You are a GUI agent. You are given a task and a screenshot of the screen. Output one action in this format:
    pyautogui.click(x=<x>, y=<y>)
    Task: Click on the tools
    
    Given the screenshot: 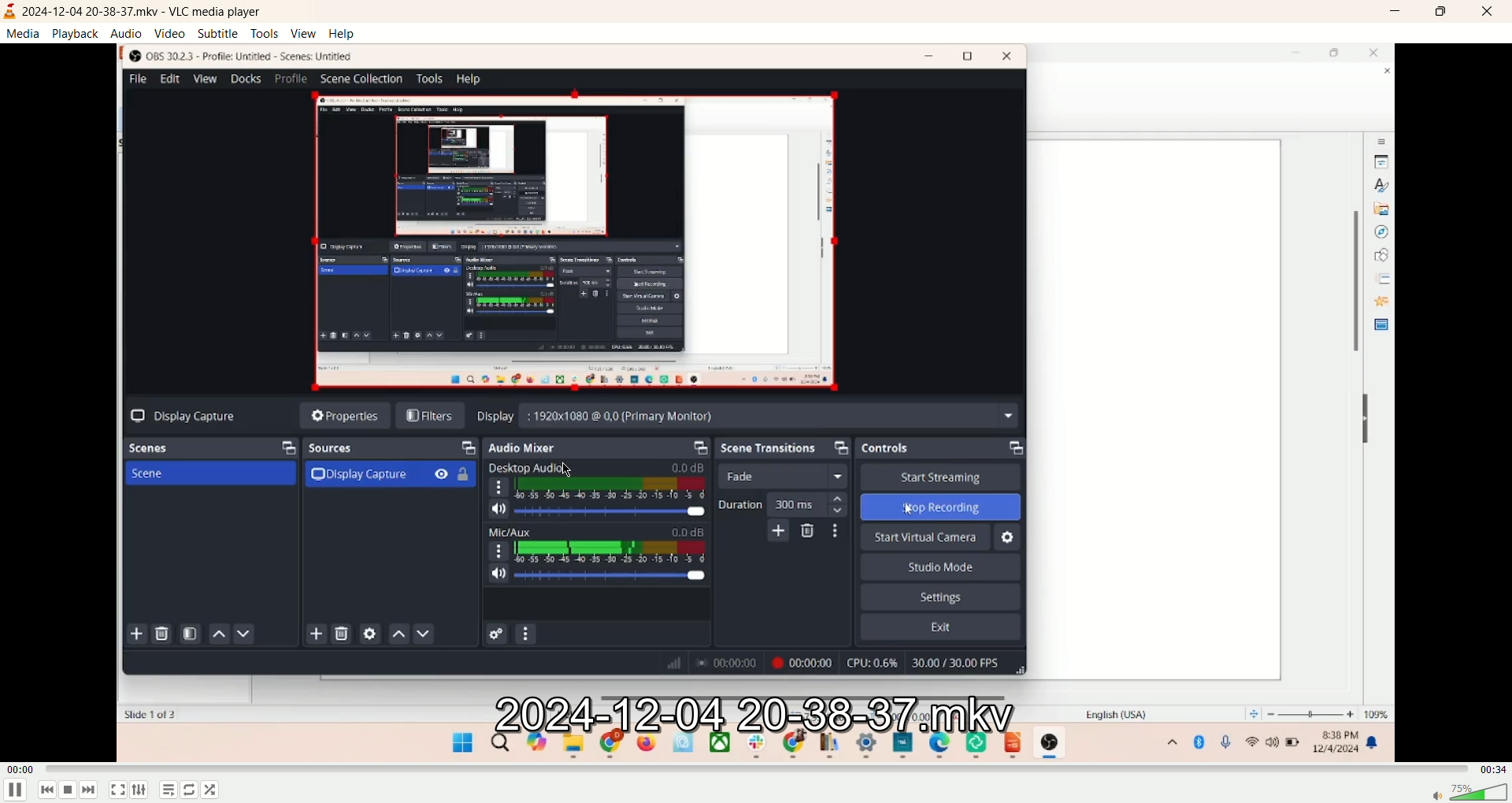 What is the action you would take?
    pyautogui.click(x=263, y=33)
    